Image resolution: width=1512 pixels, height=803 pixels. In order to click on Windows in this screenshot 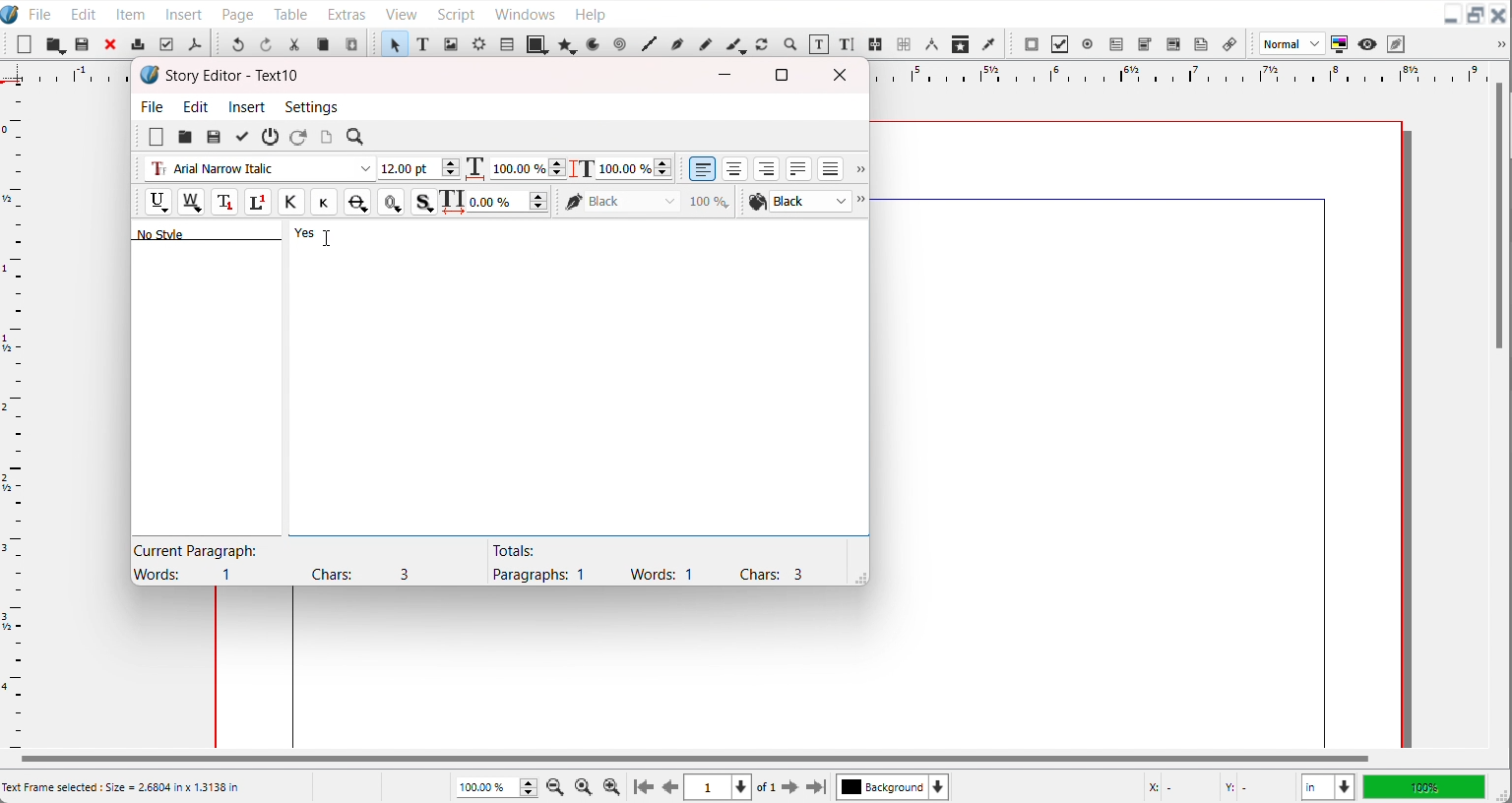, I will do `click(525, 12)`.